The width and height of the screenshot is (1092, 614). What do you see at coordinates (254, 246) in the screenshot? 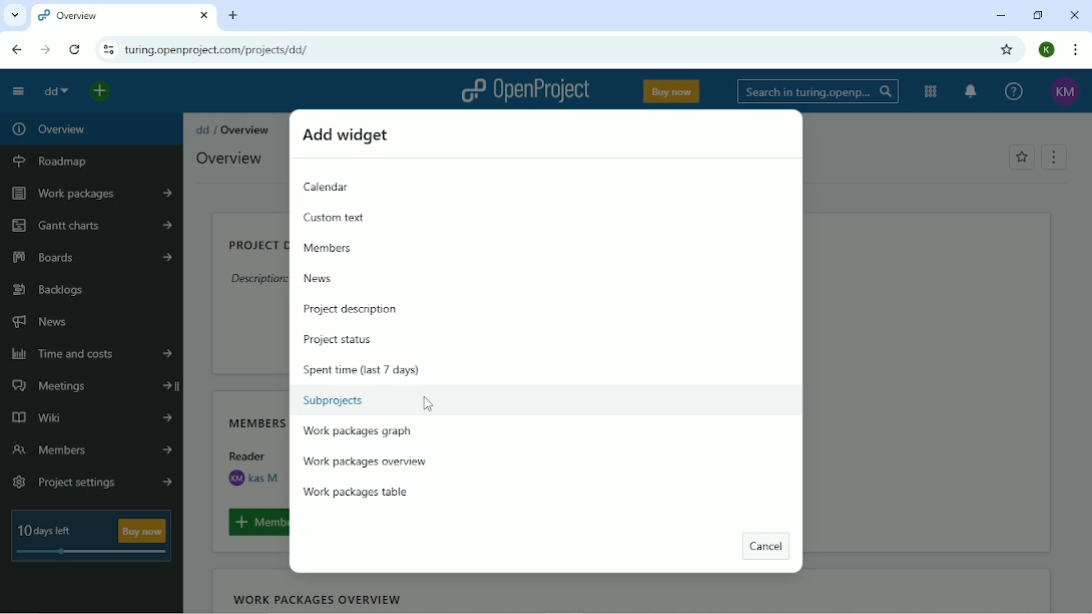
I see `Project description` at bounding box center [254, 246].